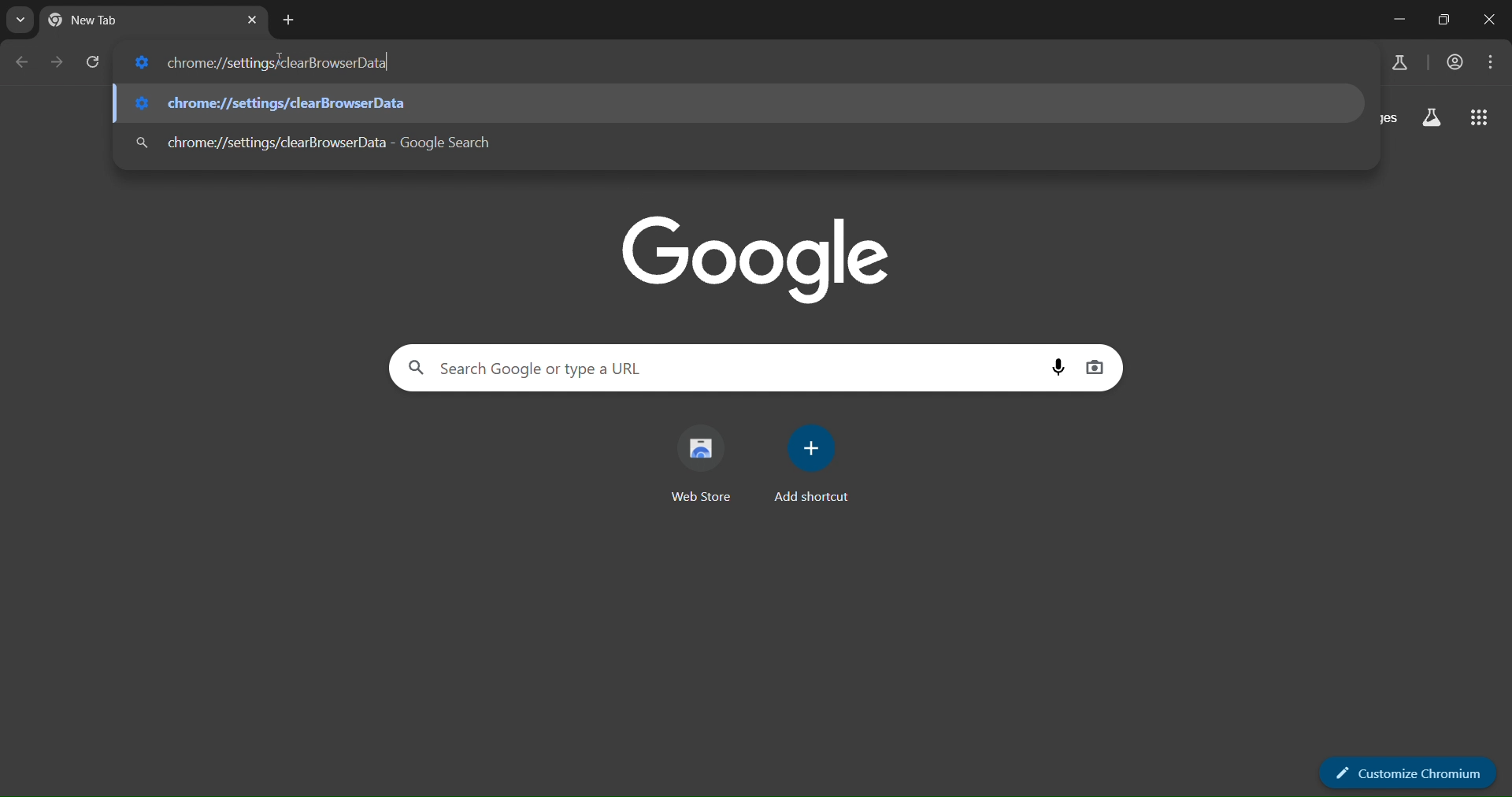  Describe the element at coordinates (1399, 21) in the screenshot. I see `minimize` at that location.